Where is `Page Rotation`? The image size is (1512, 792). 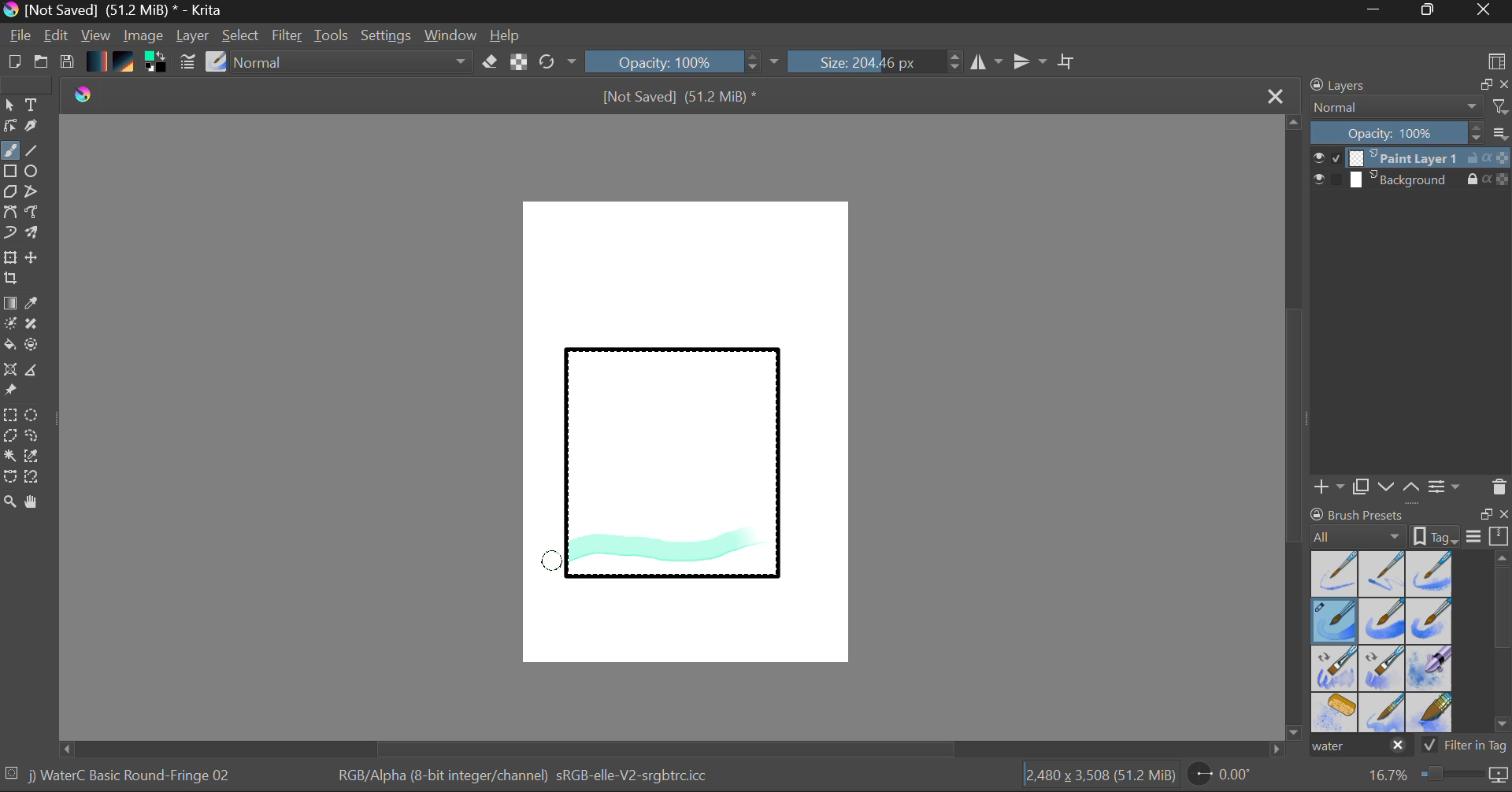 Page Rotation is located at coordinates (1228, 777).